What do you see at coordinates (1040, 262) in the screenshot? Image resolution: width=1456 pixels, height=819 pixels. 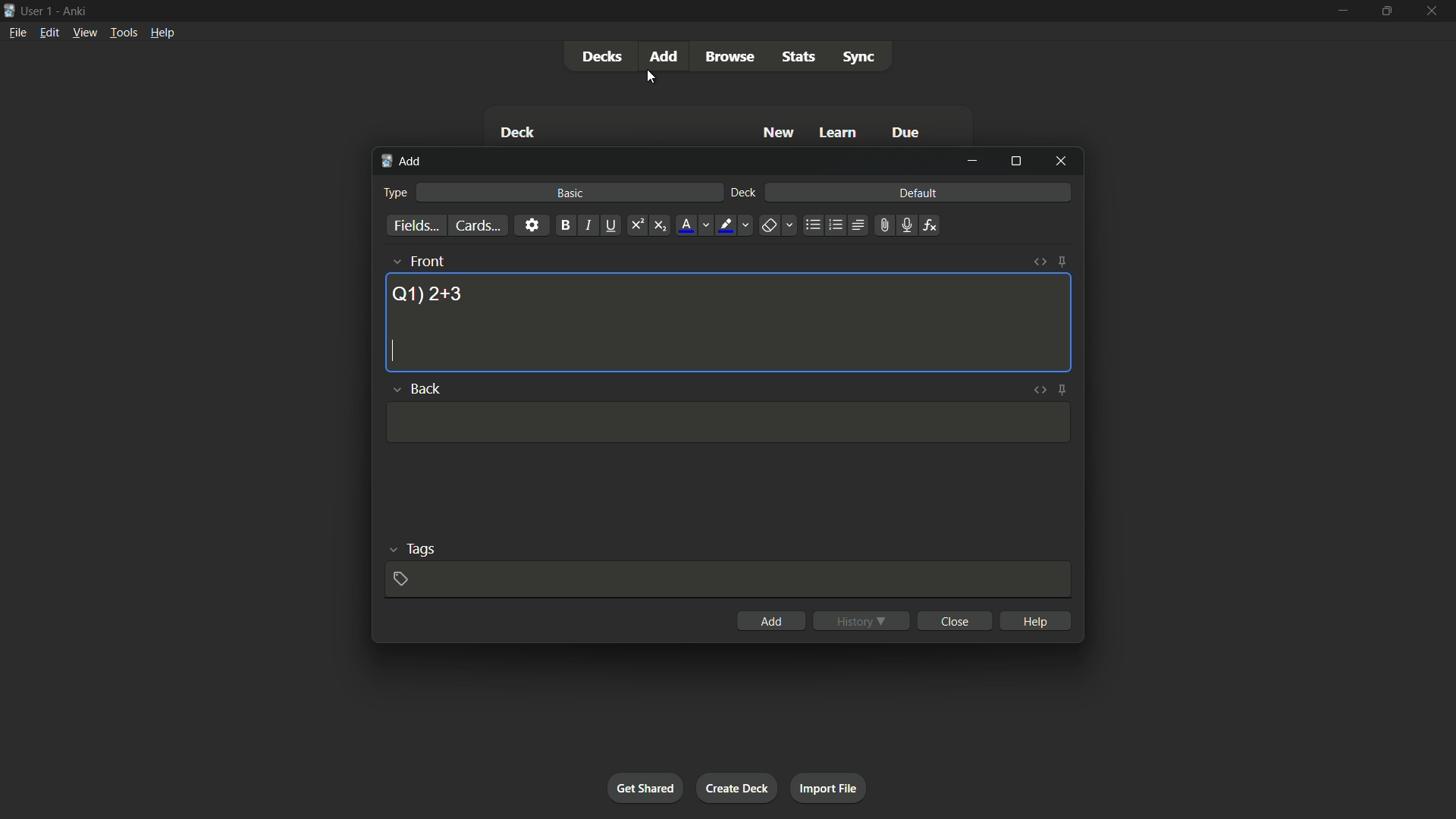 I see `toggle html editor` at bounding box center [1040, 262].